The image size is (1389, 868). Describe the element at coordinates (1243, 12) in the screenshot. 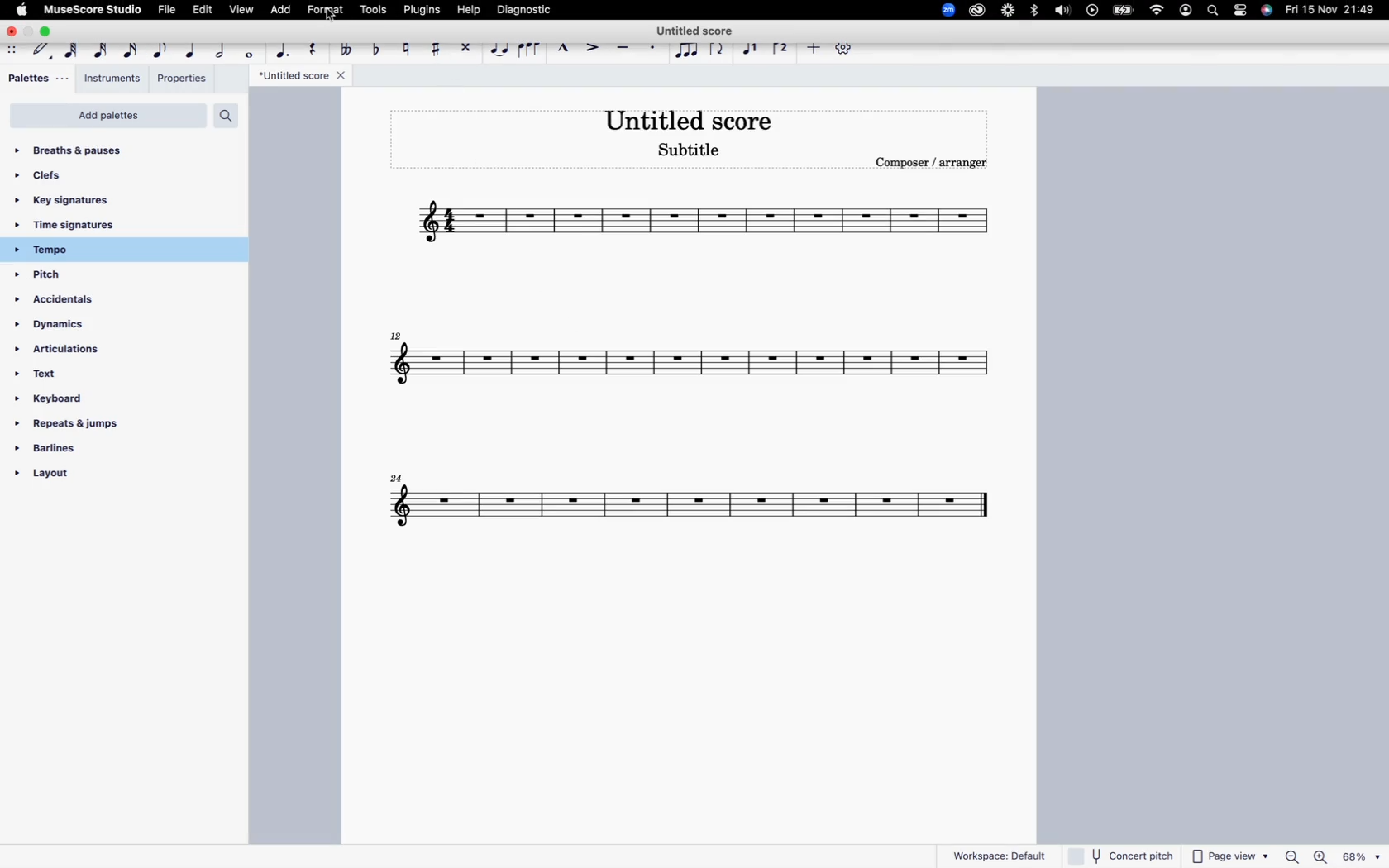

I see `settings` at that location.